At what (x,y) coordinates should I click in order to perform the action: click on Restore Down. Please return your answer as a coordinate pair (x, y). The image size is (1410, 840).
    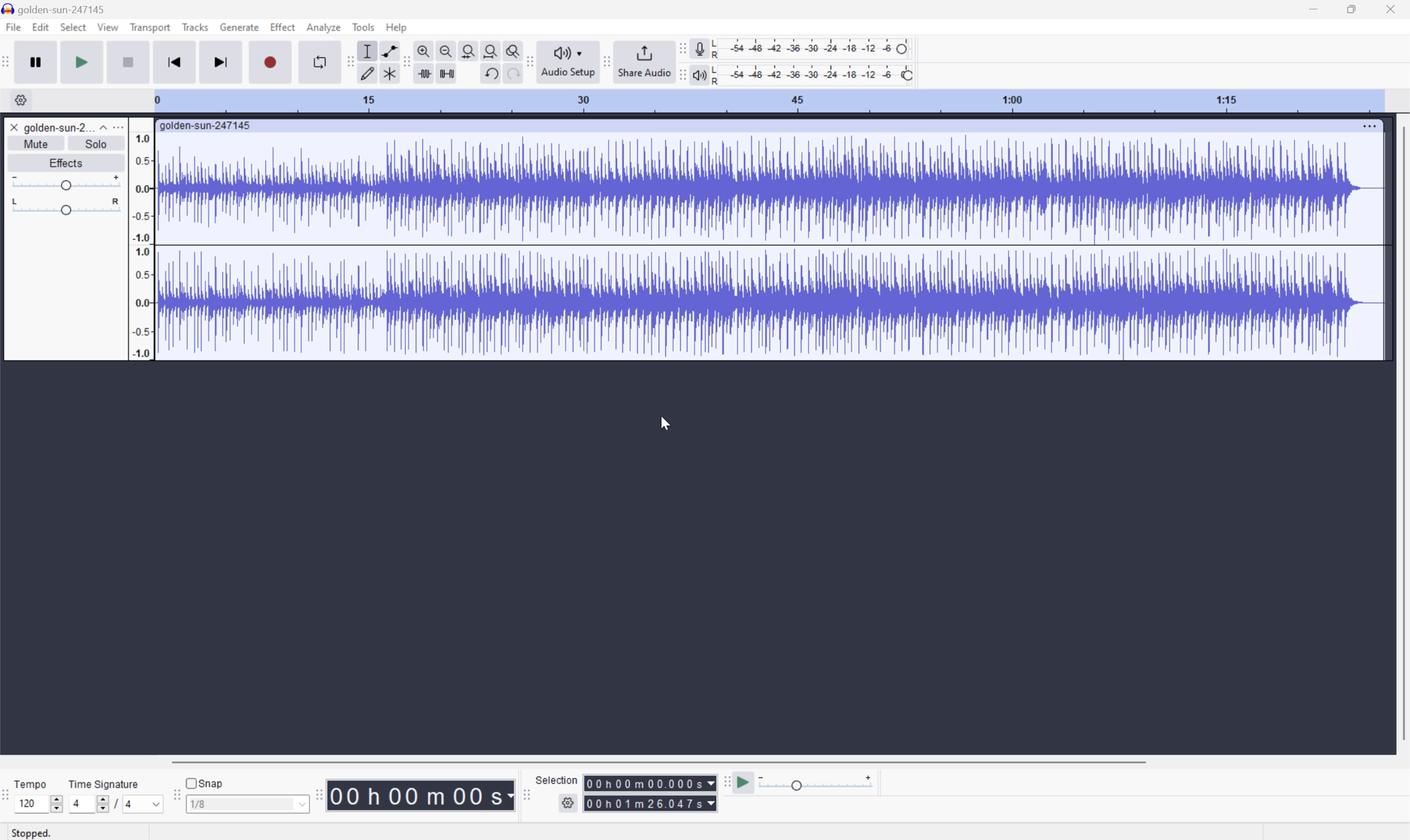
    Looking at the image, I should click on (1351, 9).